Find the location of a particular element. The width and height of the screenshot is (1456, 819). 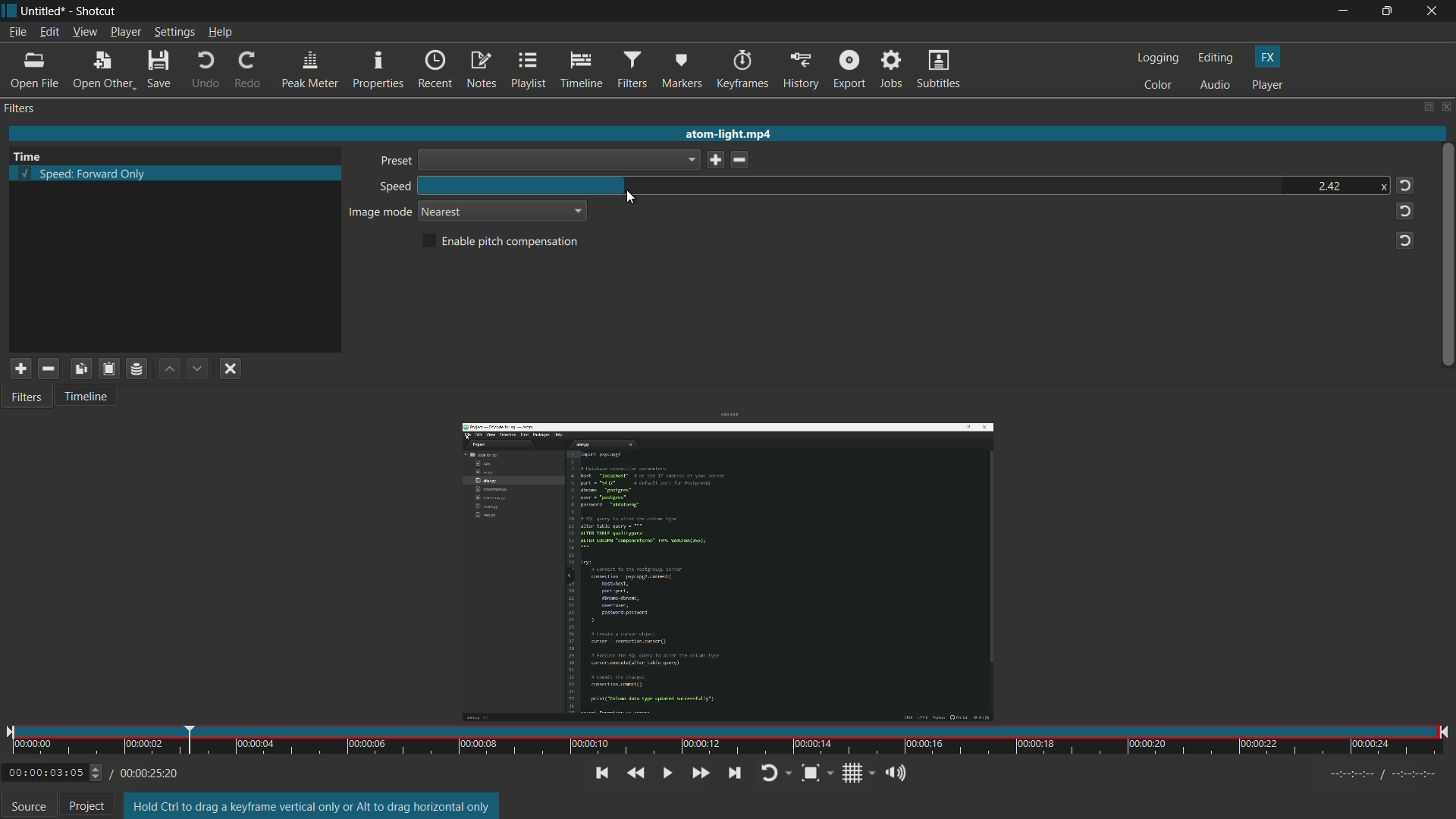

peak meter is located at coordinates (308, 71).